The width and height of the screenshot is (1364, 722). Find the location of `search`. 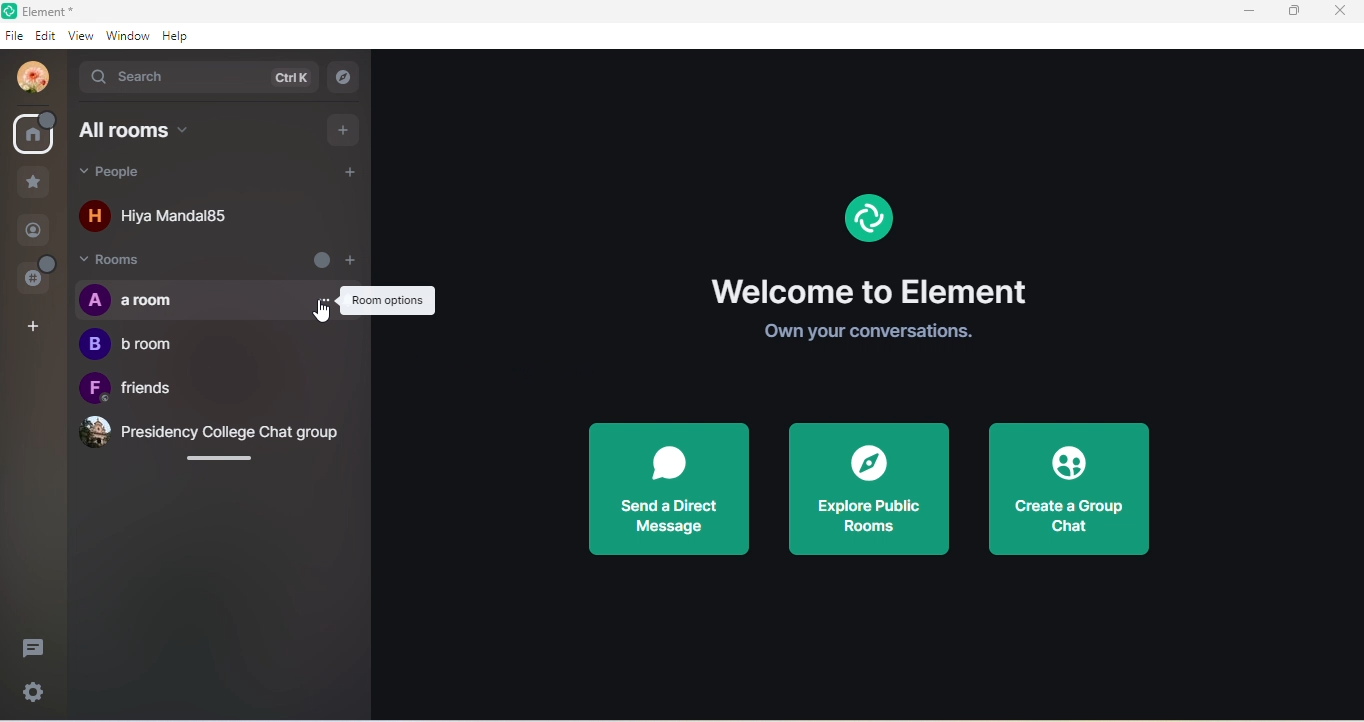

search is located at coordinates (201, 80).